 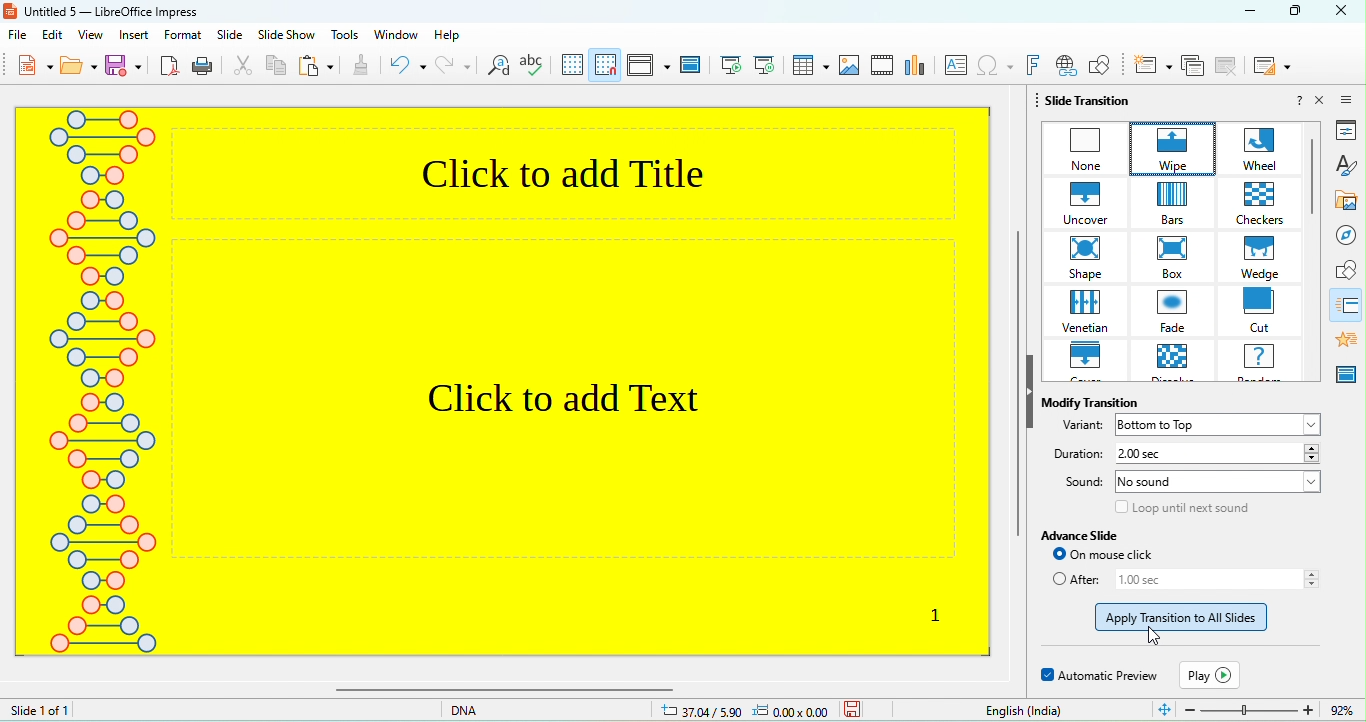 What do you see at coordinates (287, 37) in the screenshot?
I see `slideshow` at bounding box center [287, 37].